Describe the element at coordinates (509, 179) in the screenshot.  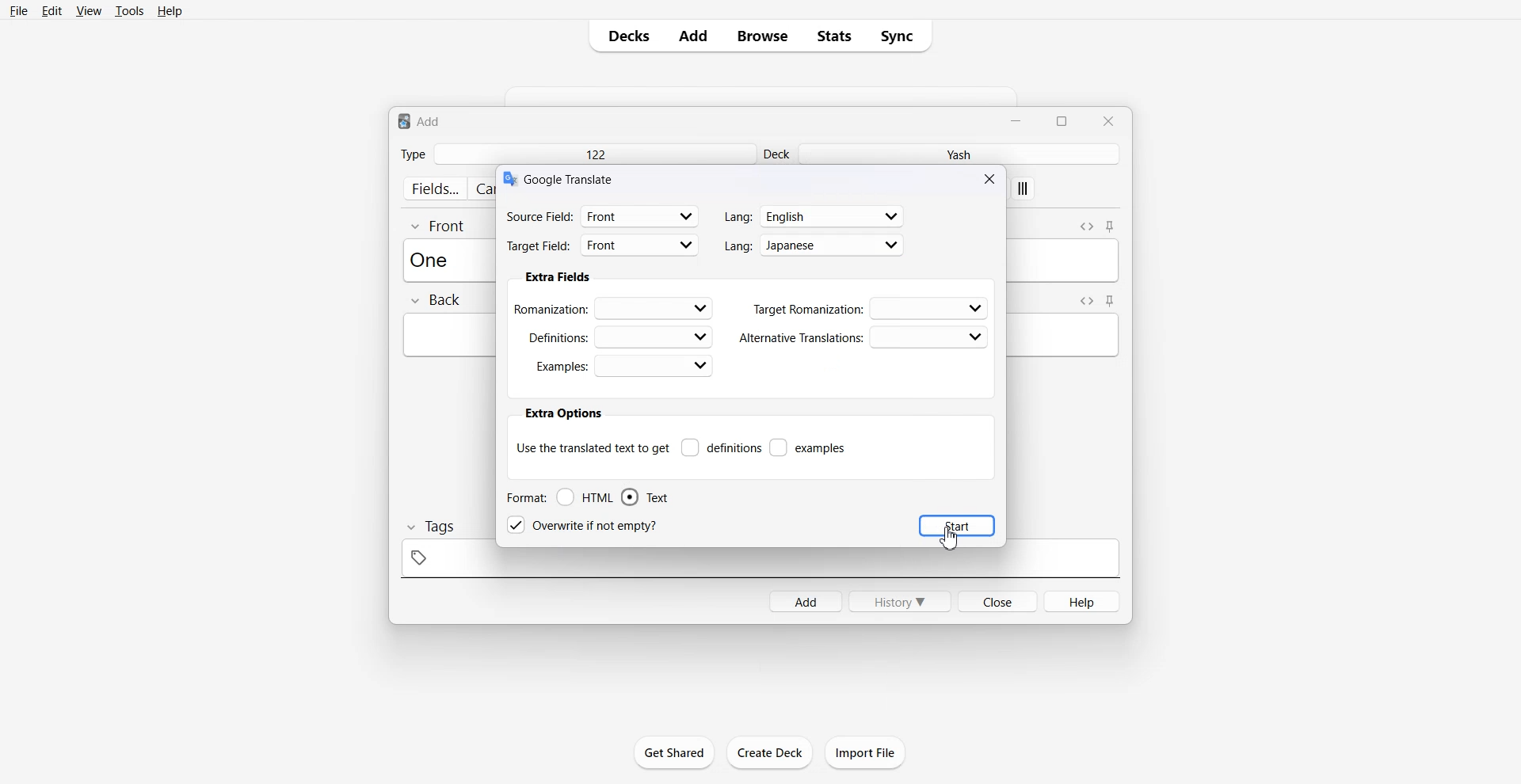
I see `logo` at that location.